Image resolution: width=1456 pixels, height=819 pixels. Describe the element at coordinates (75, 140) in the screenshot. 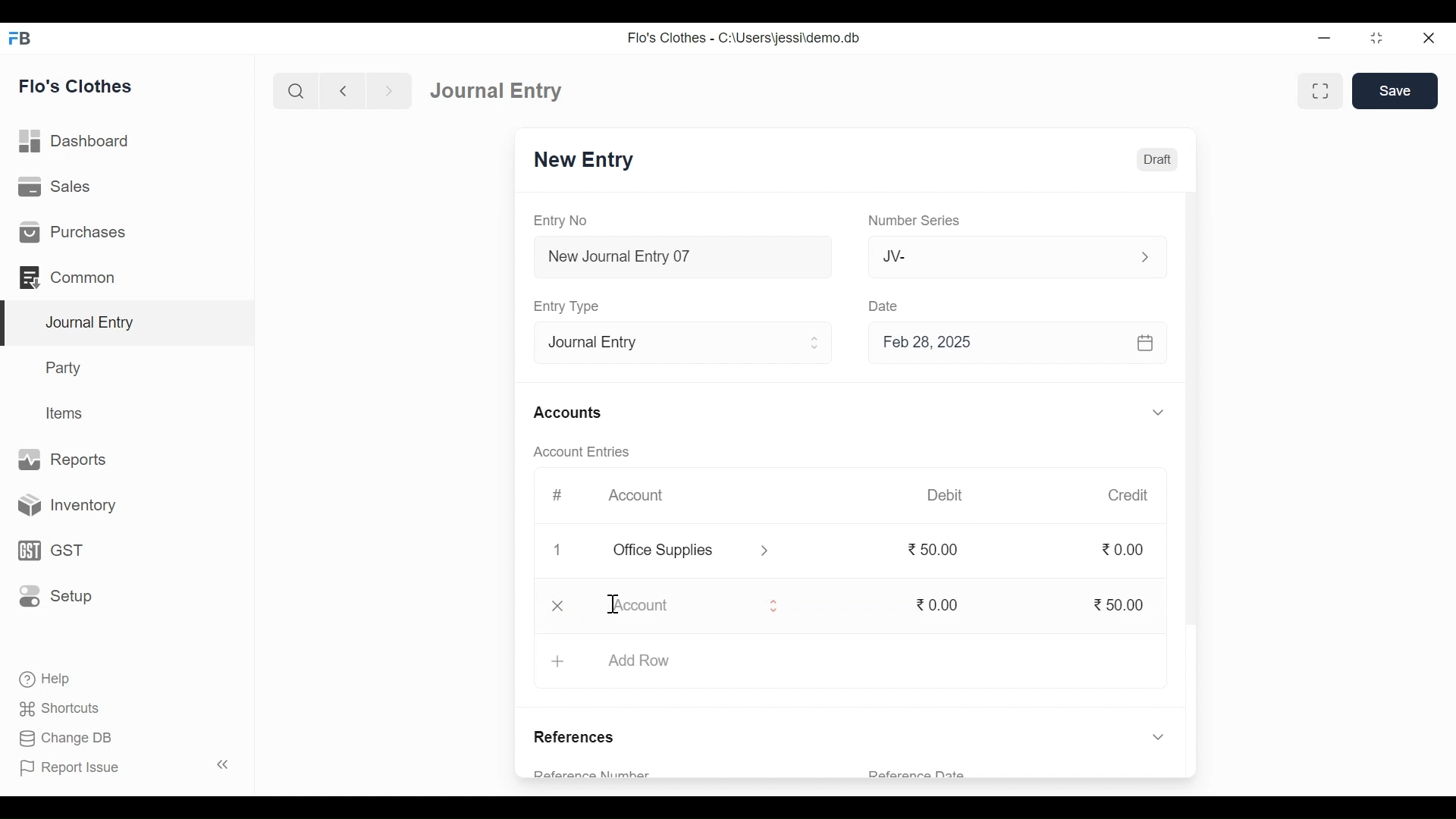

I see `Dashboard` at that location.